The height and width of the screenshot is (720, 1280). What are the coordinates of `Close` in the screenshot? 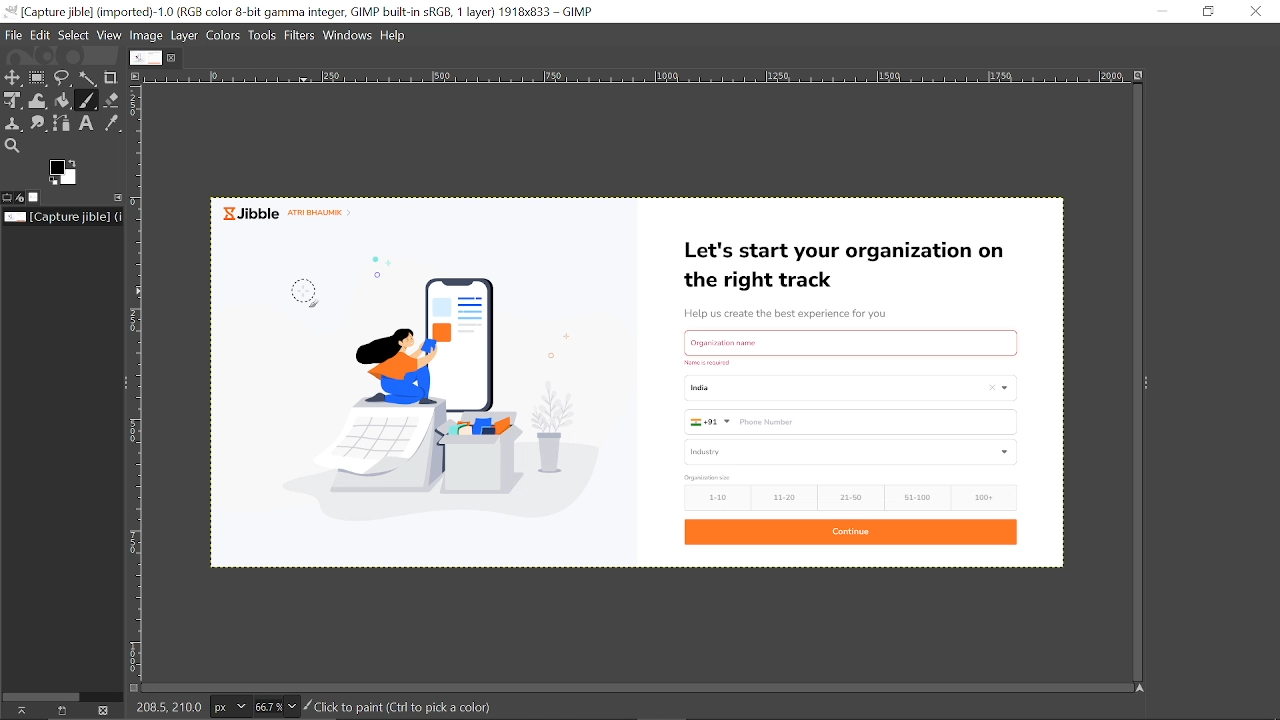 It's located at (1254, 12).